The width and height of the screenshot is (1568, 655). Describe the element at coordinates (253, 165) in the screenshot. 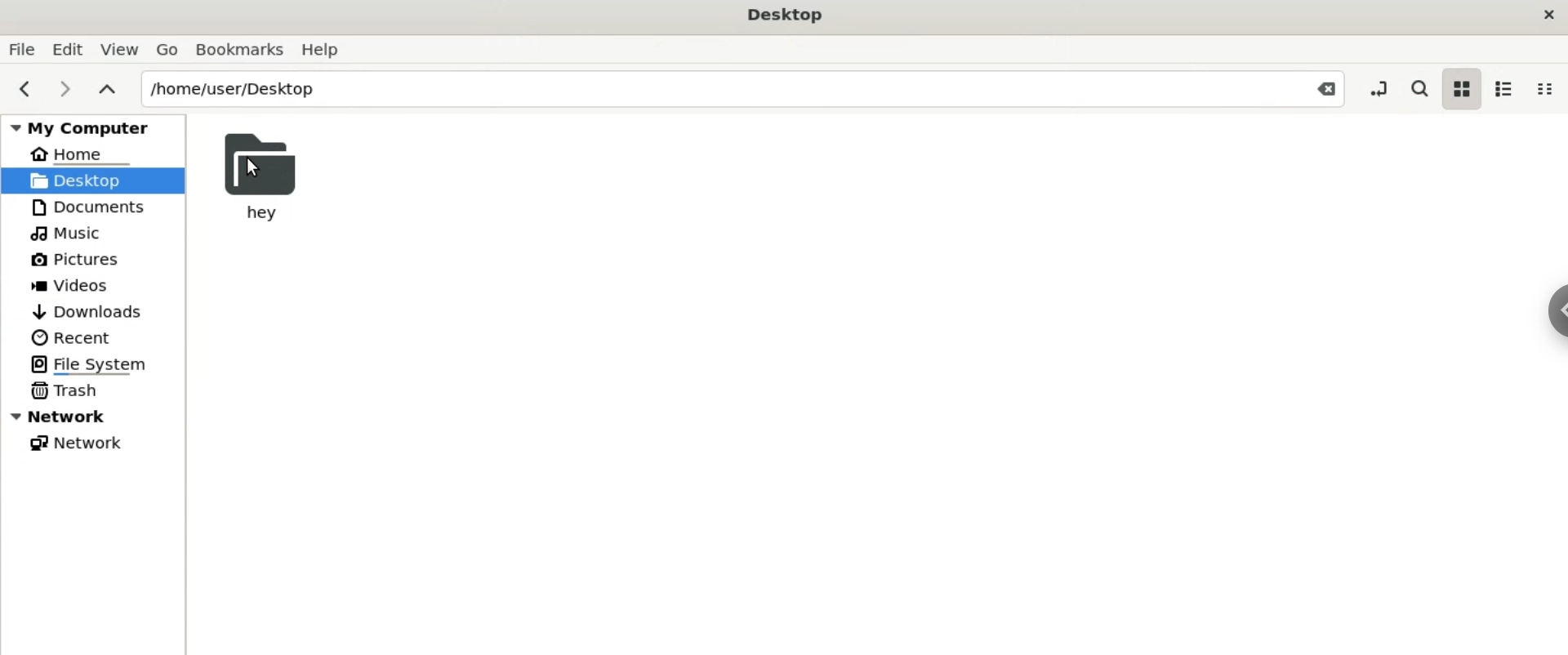

I see `cursor` at that location.